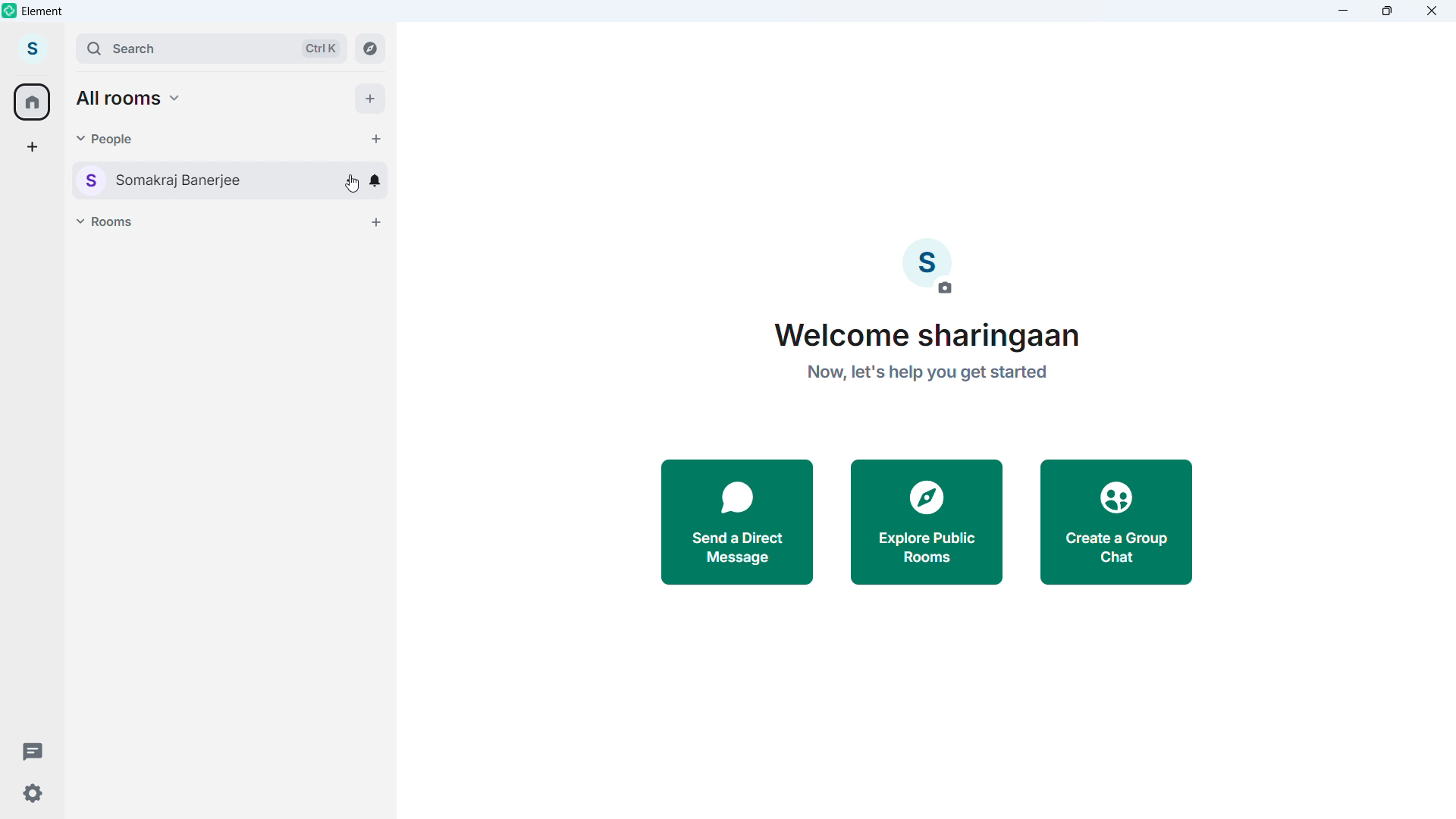  What do you see at coordinates (1385, 12) in the screenshot?
I see `maximize` at bounding box center [1385, 12].